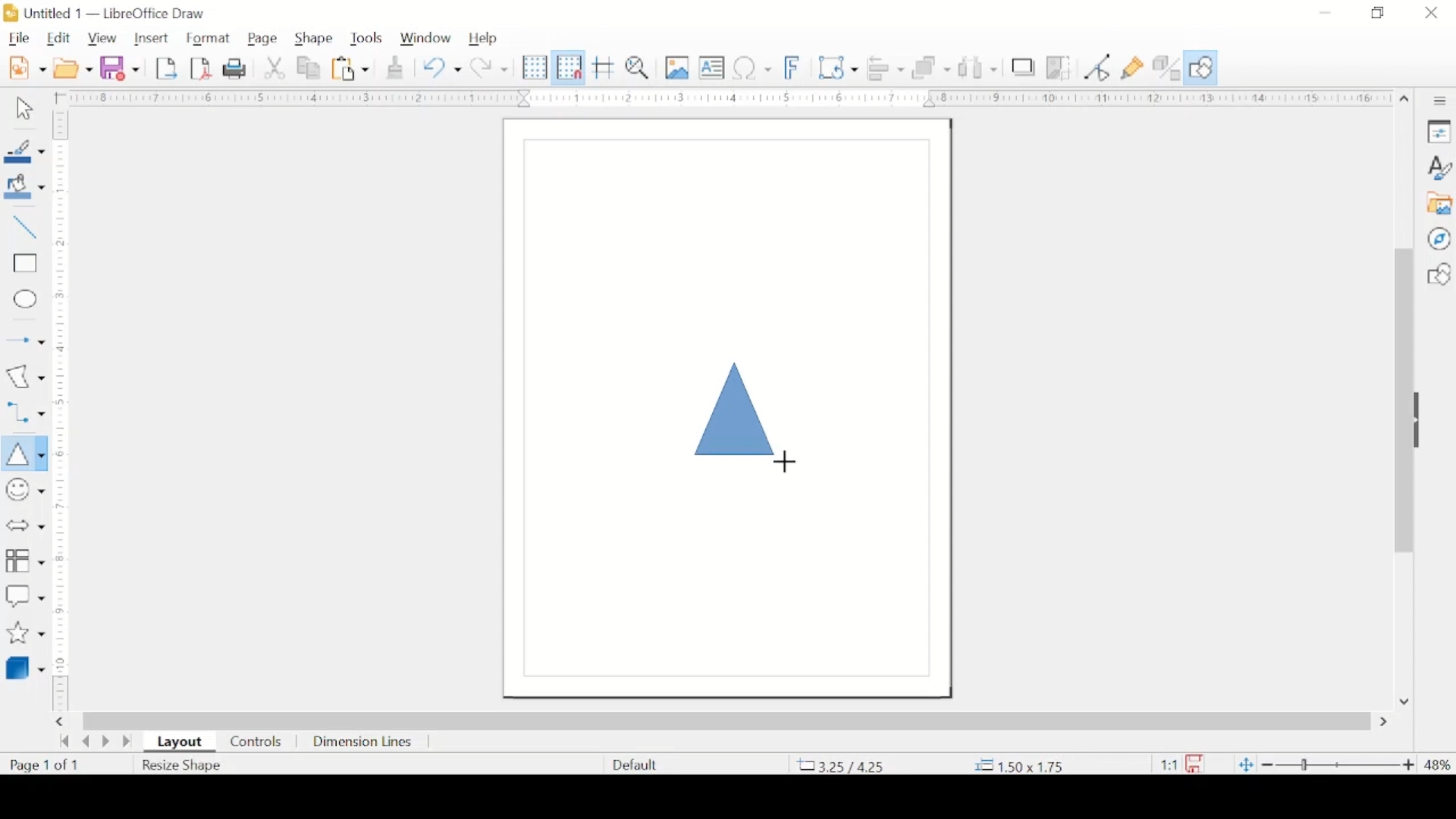 Image resolution: width=1456 pixels, height=819 pixels. Describe the element at coordinates (1406, 701) in the screenshot. I see `scroll down arrow` at that location.